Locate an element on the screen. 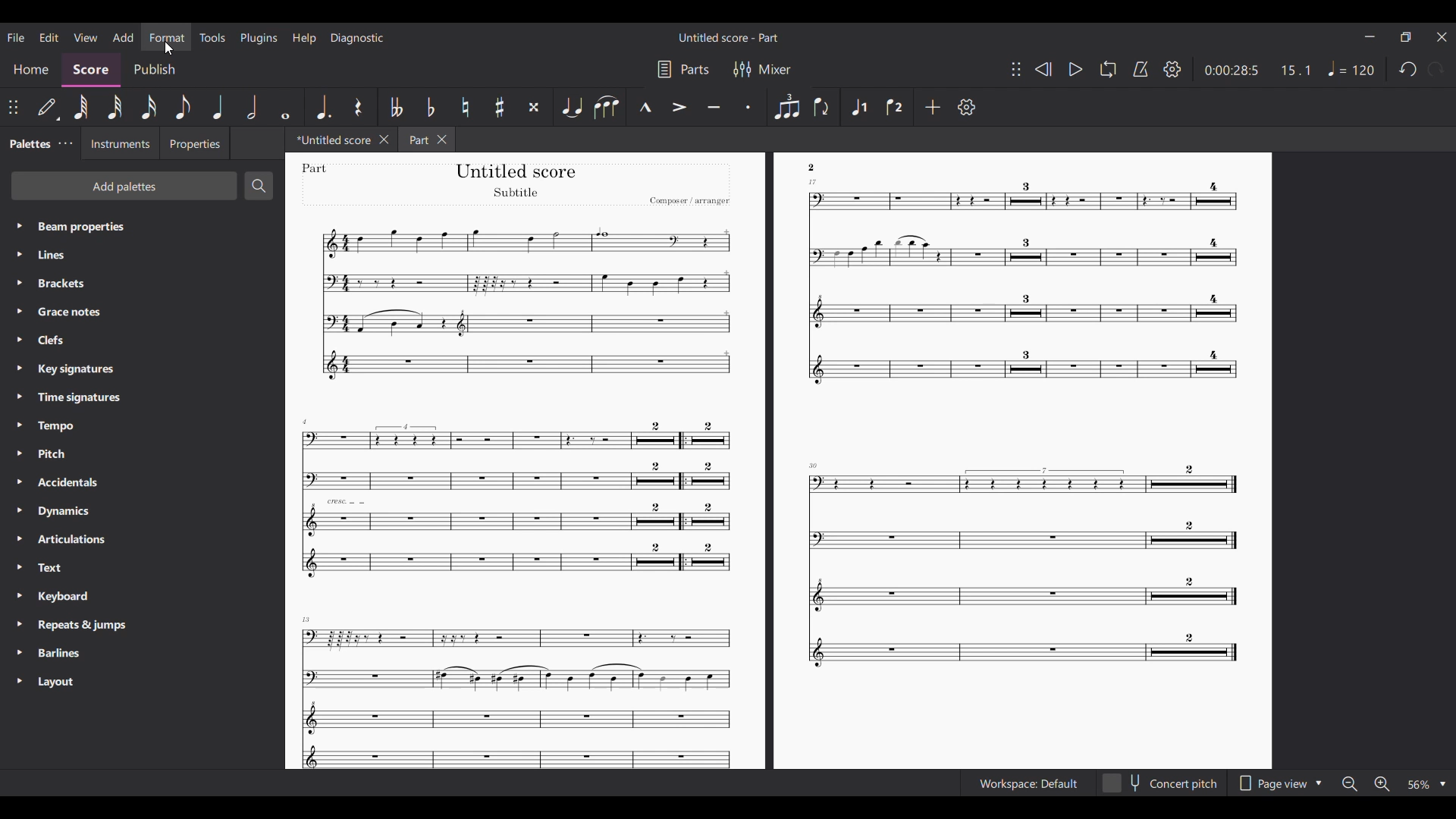 The width and height of the screenshot is (1456, 819). Publish section is located at coordinates (154, 70).